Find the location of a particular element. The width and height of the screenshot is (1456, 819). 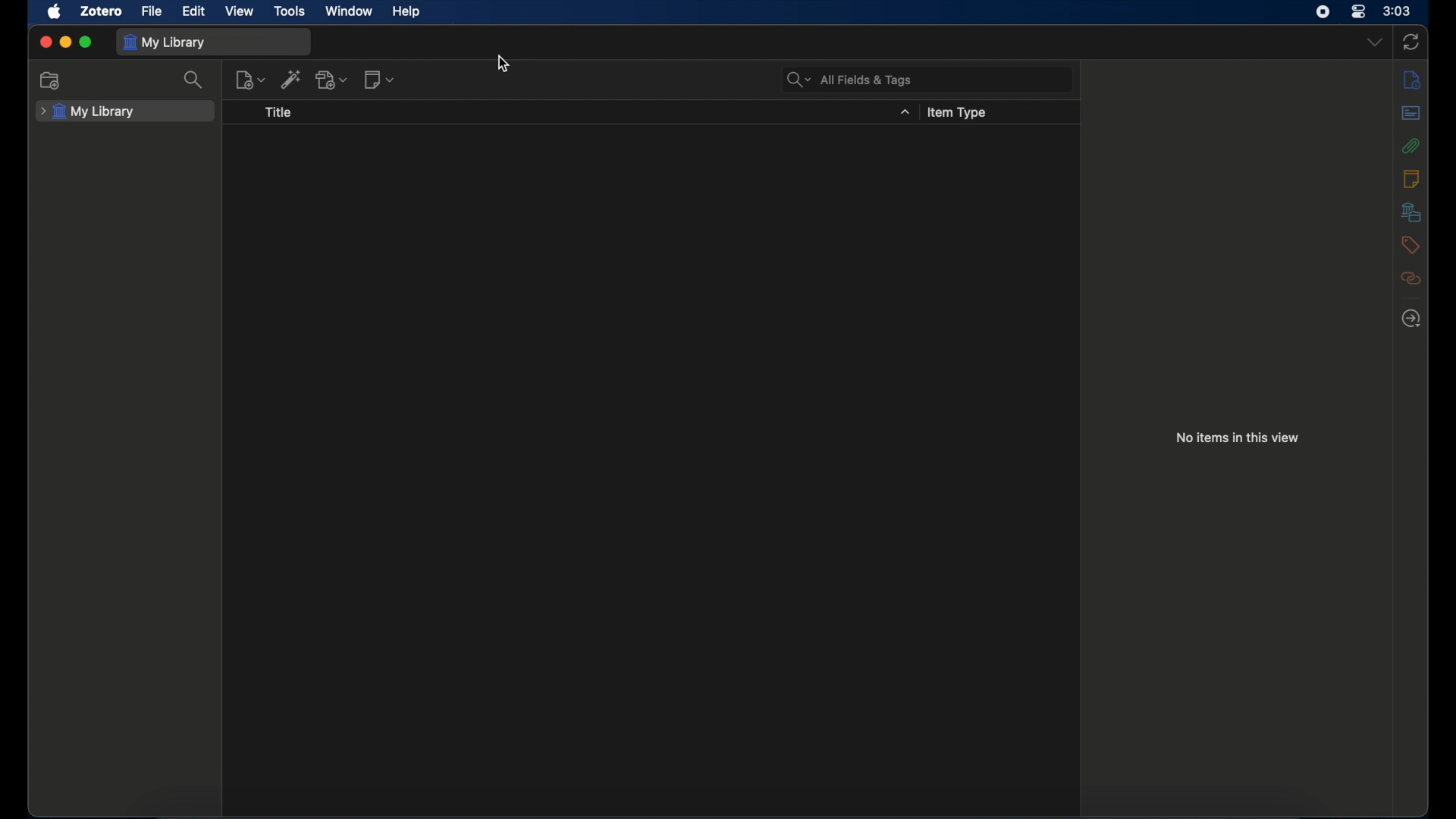

dropdown is located at coordinates (905, 112).